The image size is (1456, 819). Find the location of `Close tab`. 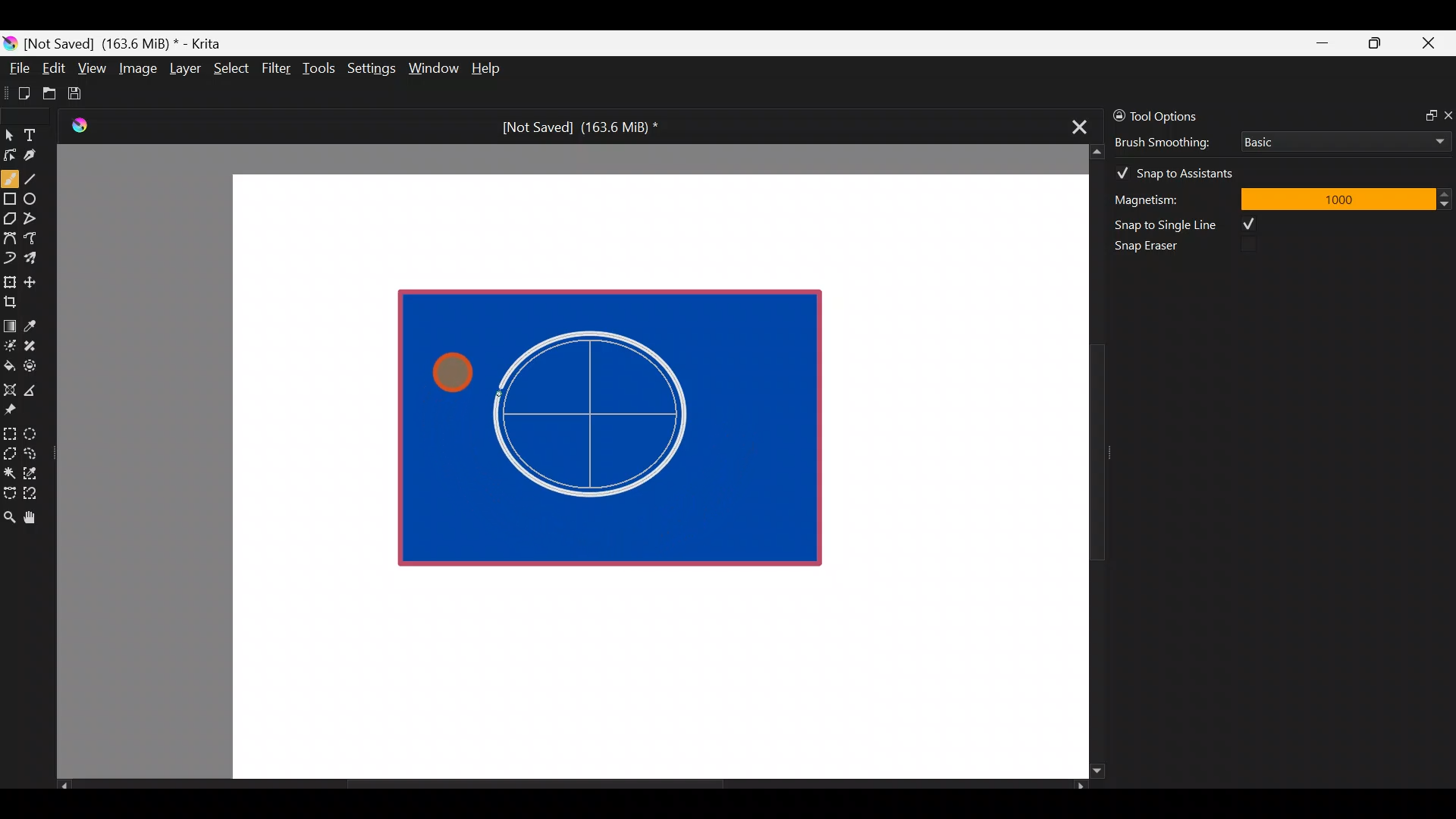

Close tab is located at coordinates (1075, 124).